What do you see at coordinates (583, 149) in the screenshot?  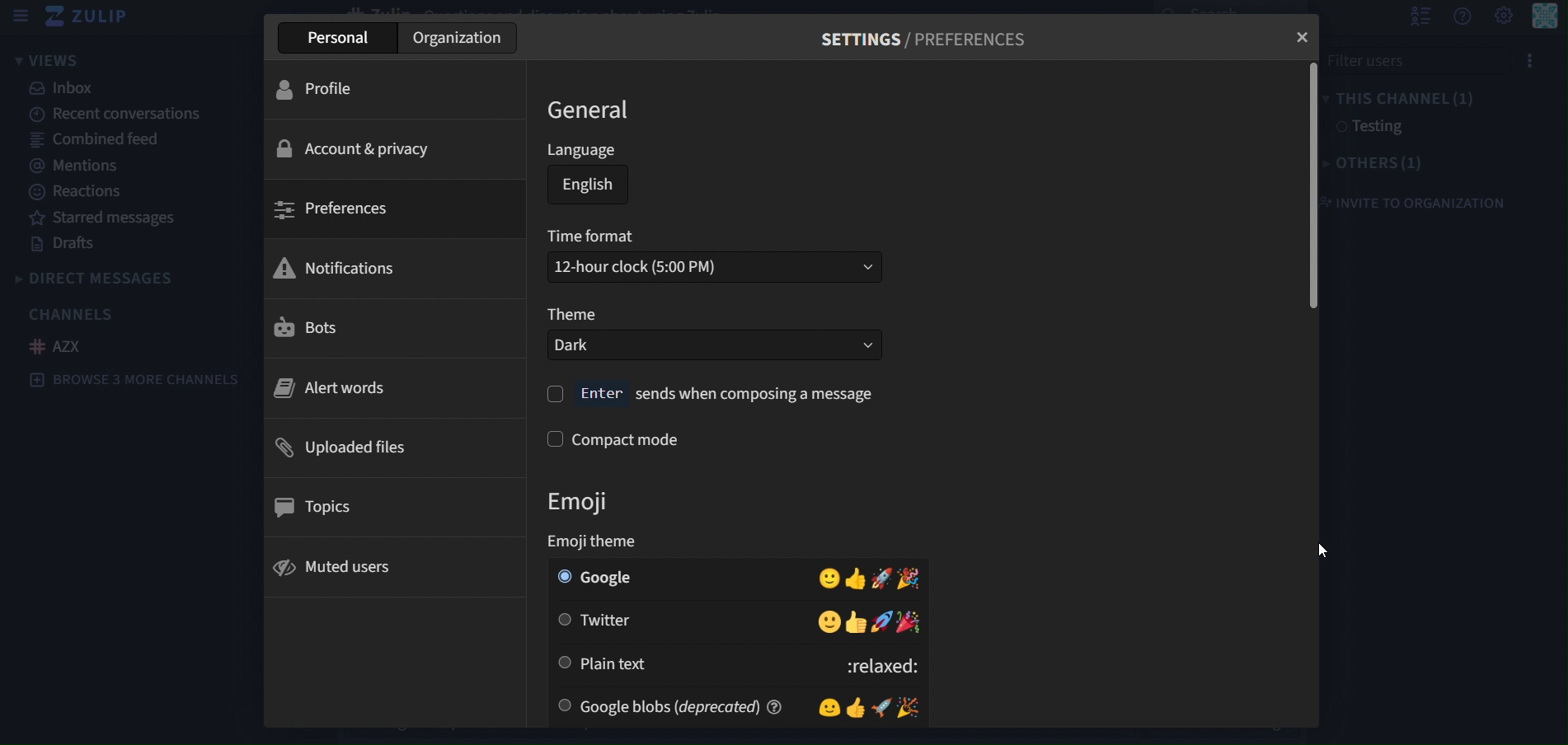 I see `language` at bounding box center [583, 149].